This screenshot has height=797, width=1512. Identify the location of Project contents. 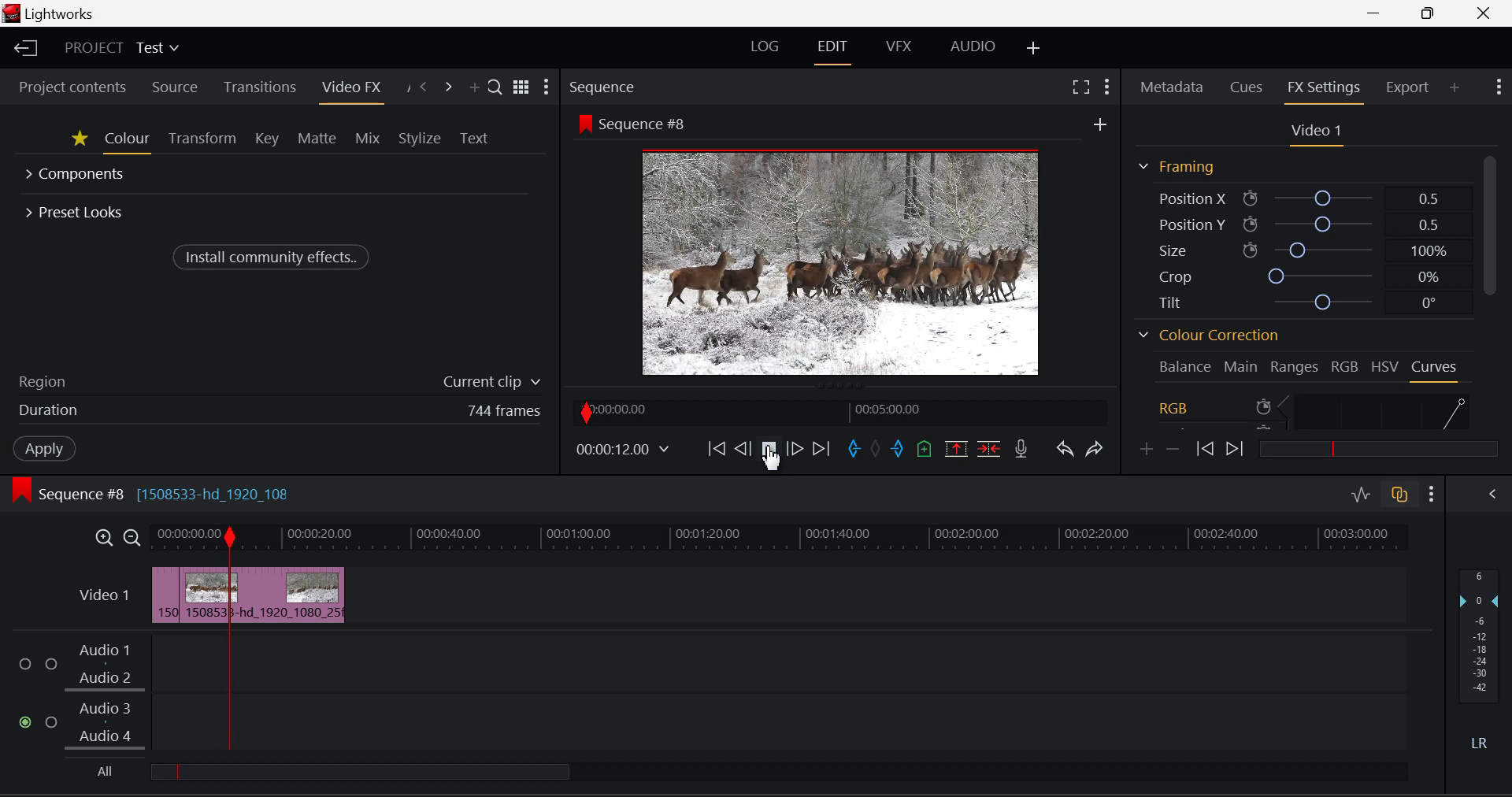
(72, 87).